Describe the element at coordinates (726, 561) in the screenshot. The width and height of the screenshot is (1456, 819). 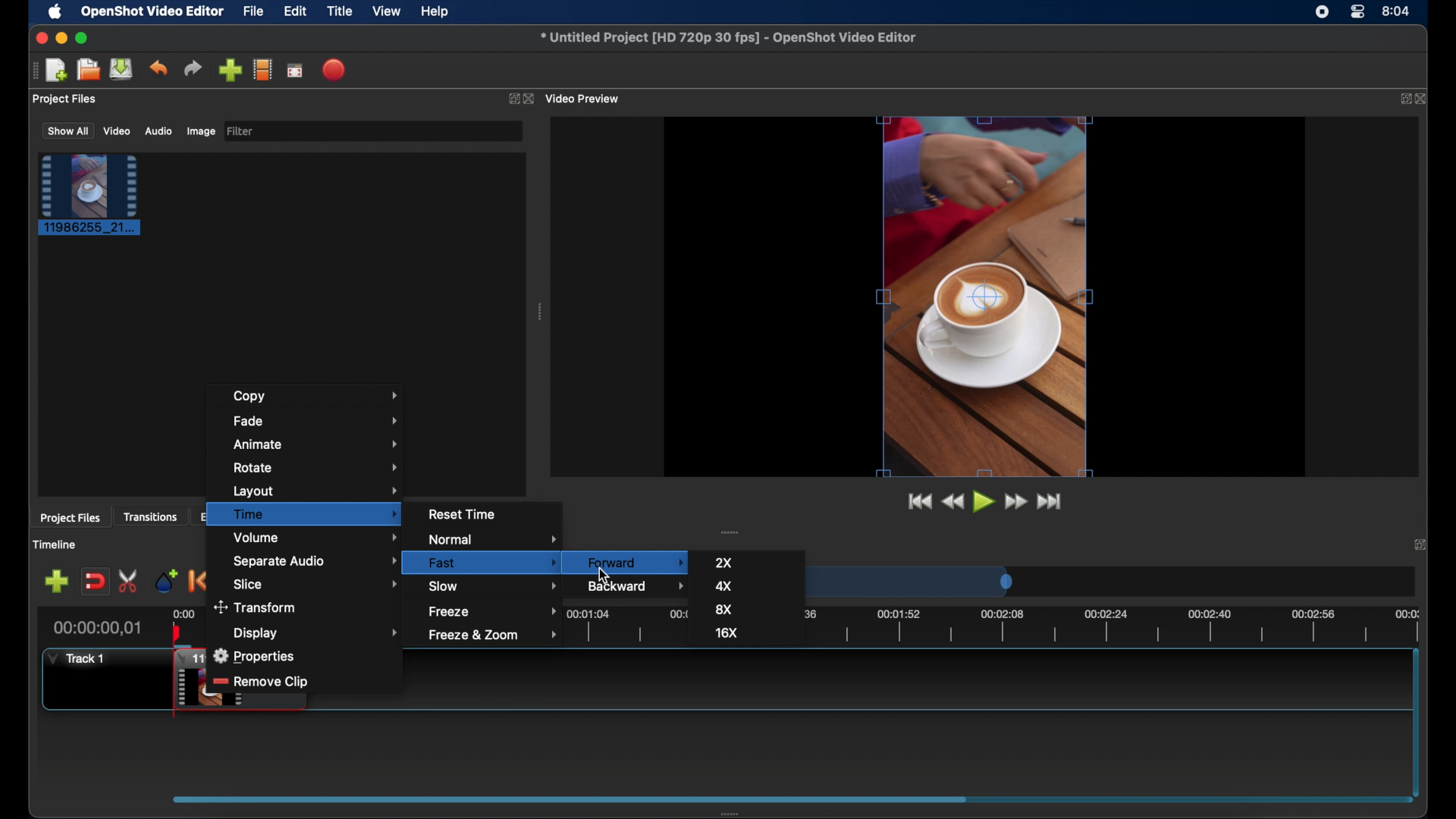
I see `2x` at that location.